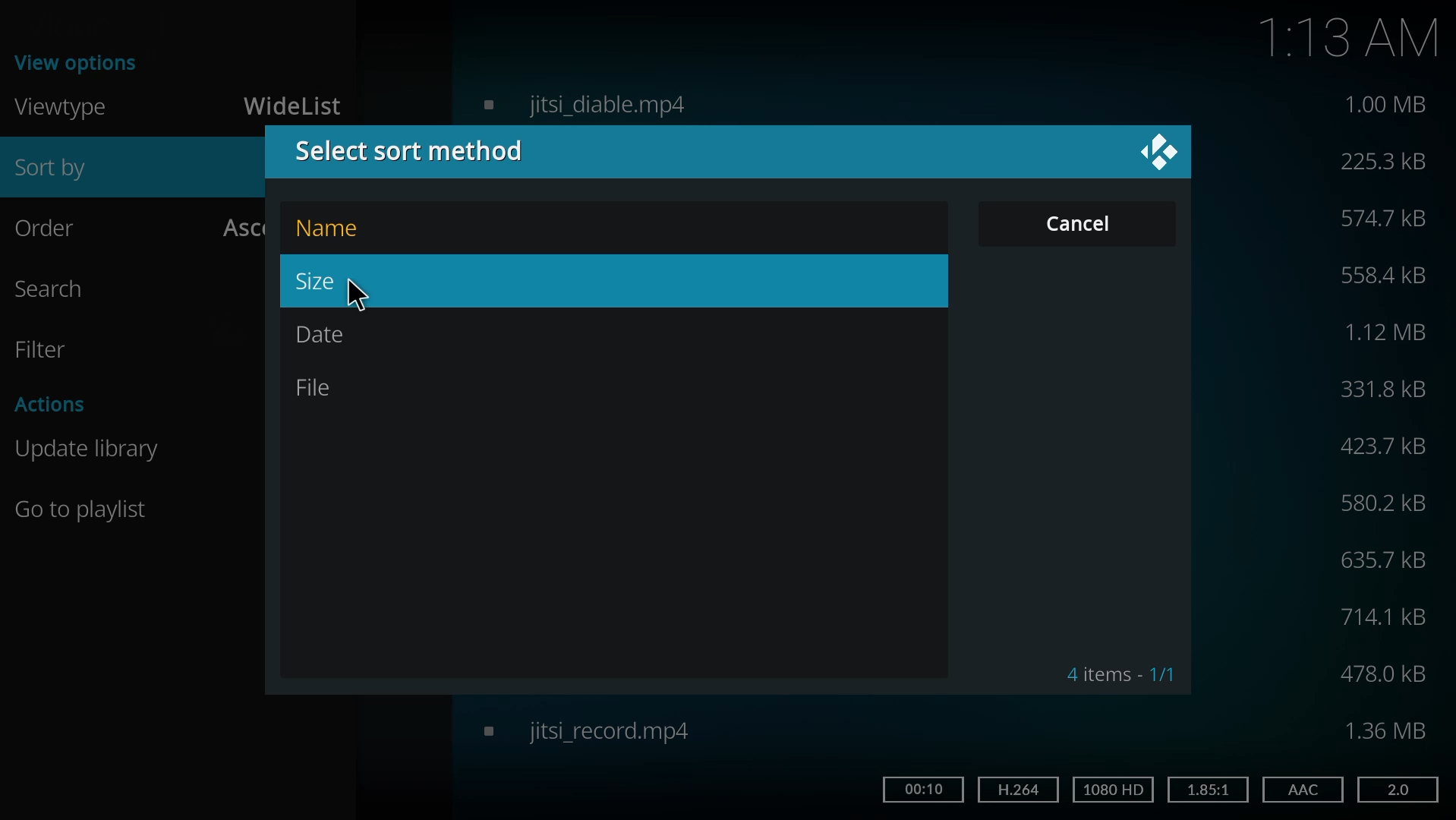 The image size is (1456, 820). I want to click on sort by, so click(64, 170).